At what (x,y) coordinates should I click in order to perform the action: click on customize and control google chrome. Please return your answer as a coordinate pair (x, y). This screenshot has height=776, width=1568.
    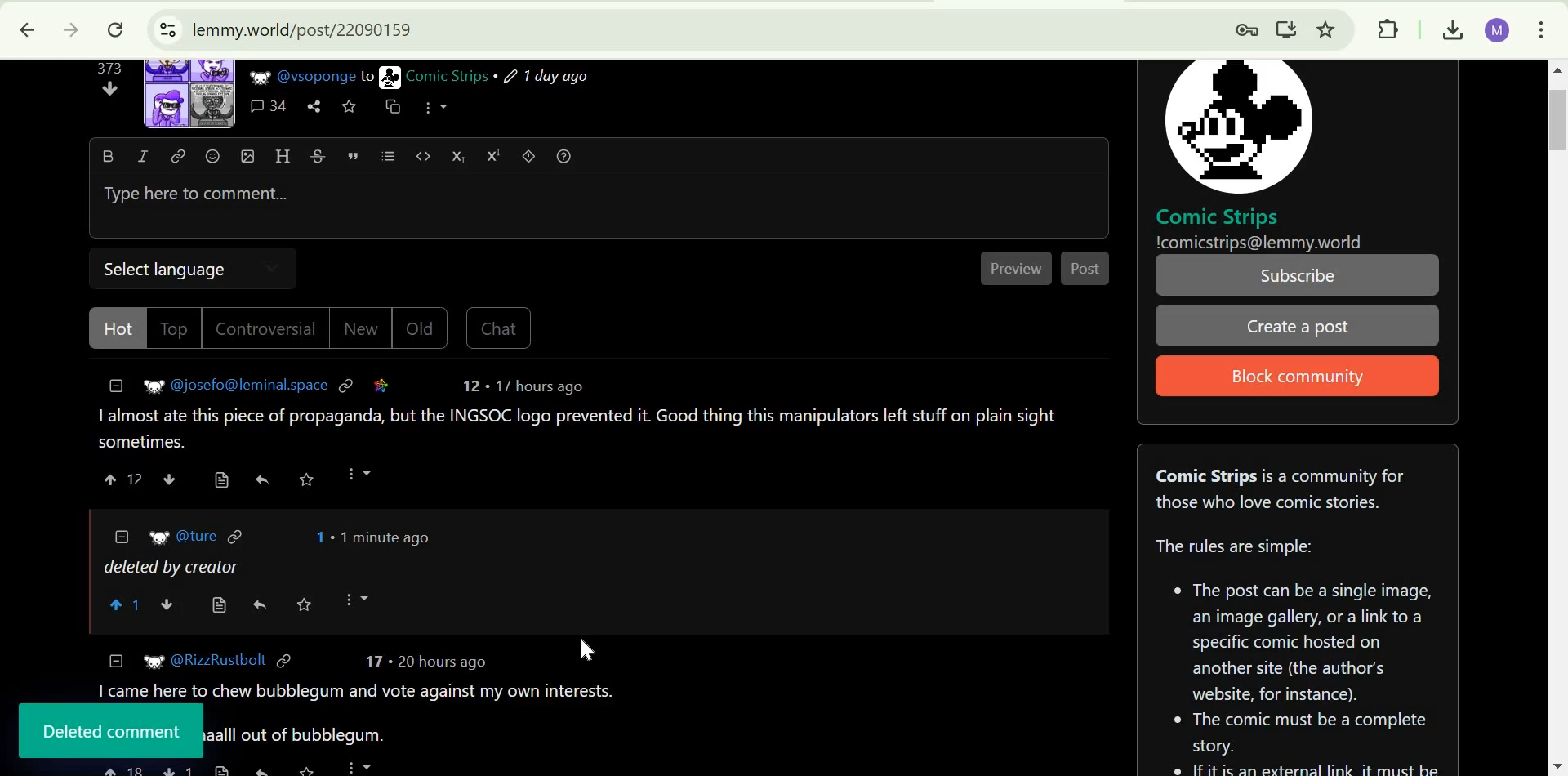
    Looking at the image, I should click on (1542, 27).